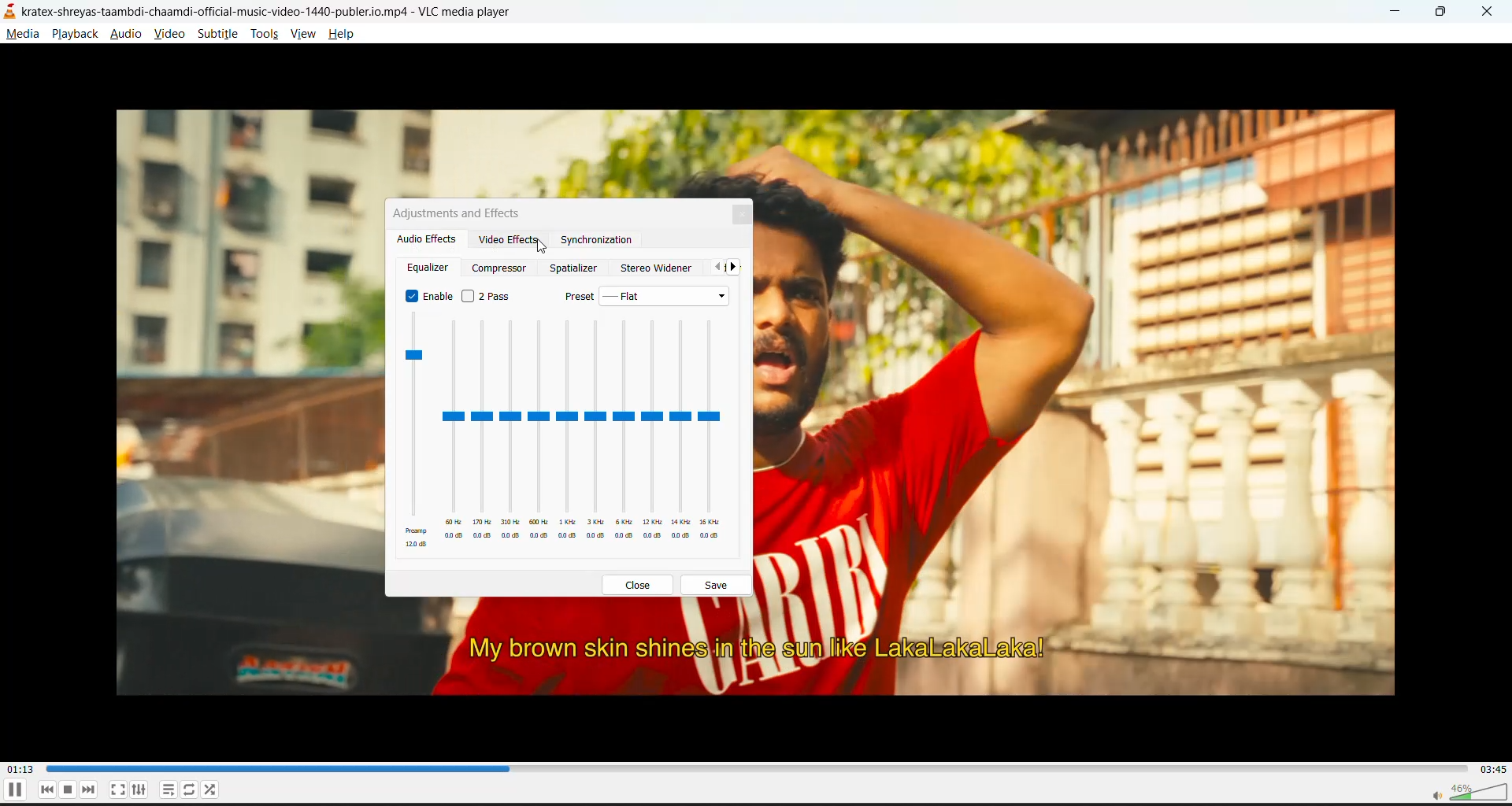 The height and width of the screenshot is (806, 1512). Describe the element at coordinates (497, 270) in the screenshot. I see `compressor` at that location.